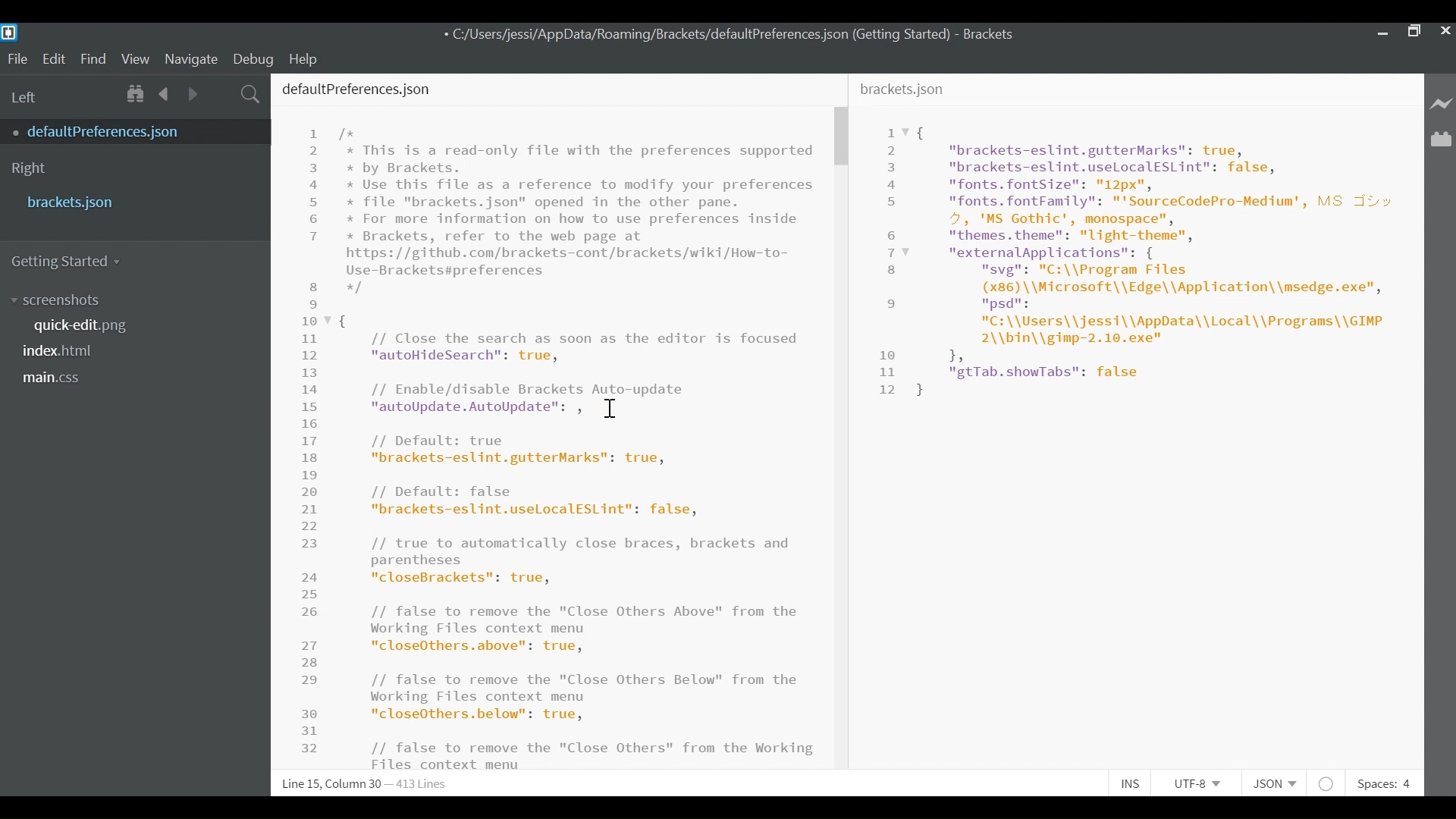  Describe the element at coordinates (840, 137) in the screenshot. I see `Vertical Scroll bar` at that location.